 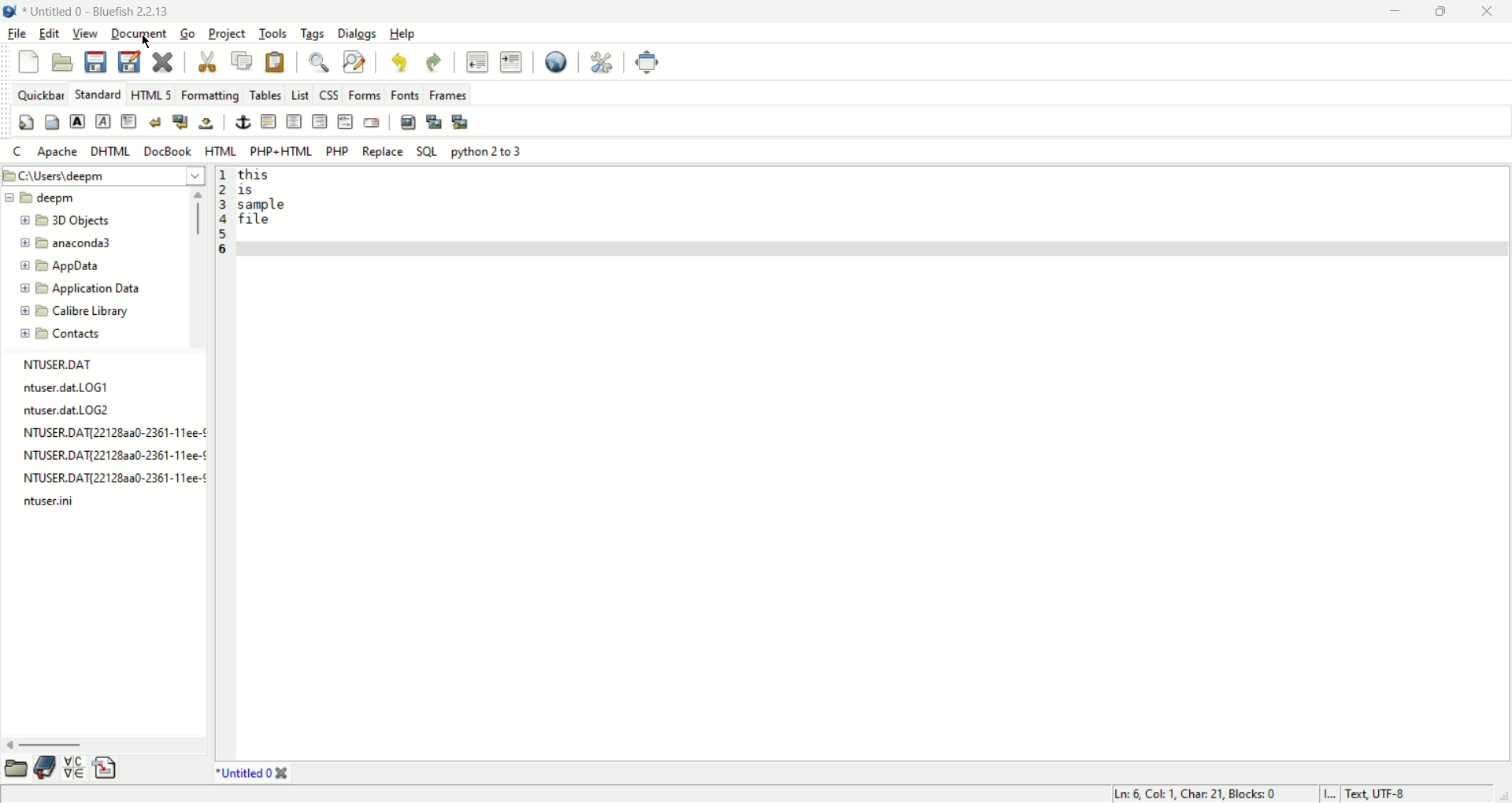 What do you see at coordinates (317, 62) in the screenshot?
I see `show find bar` at bounding box center [317, 62].